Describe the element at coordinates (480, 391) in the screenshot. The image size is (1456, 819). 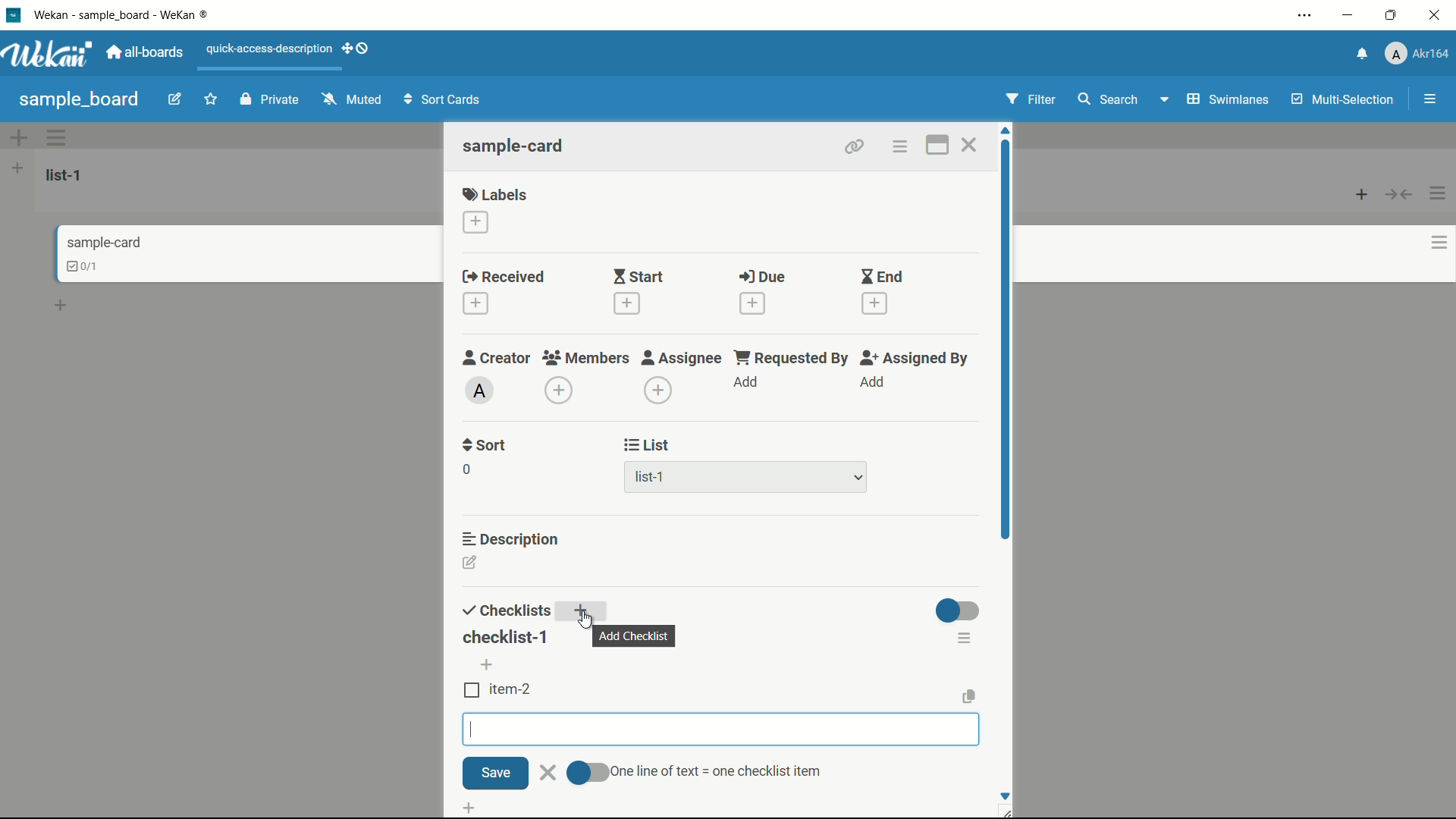
I see `admin` at that location.